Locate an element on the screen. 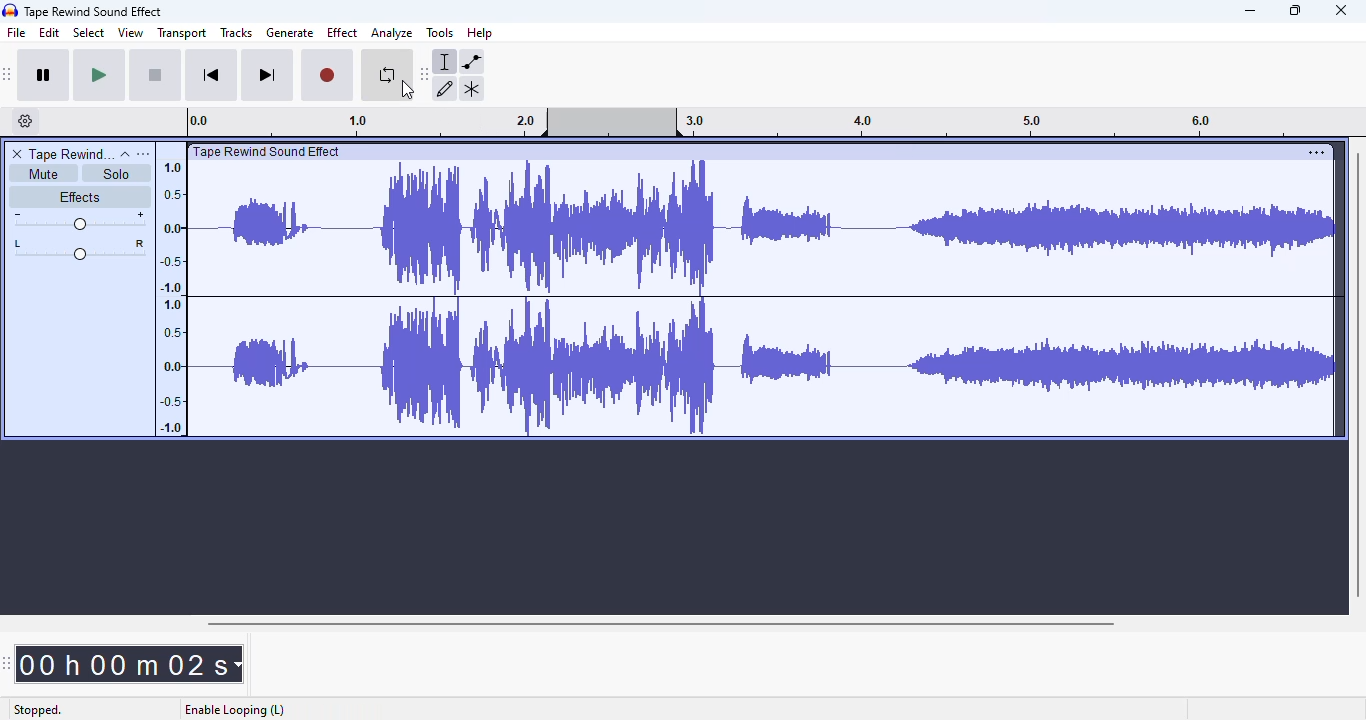 The height and width of the screenshot is (720, 1366). open menu is located at coordinates (144, 154).